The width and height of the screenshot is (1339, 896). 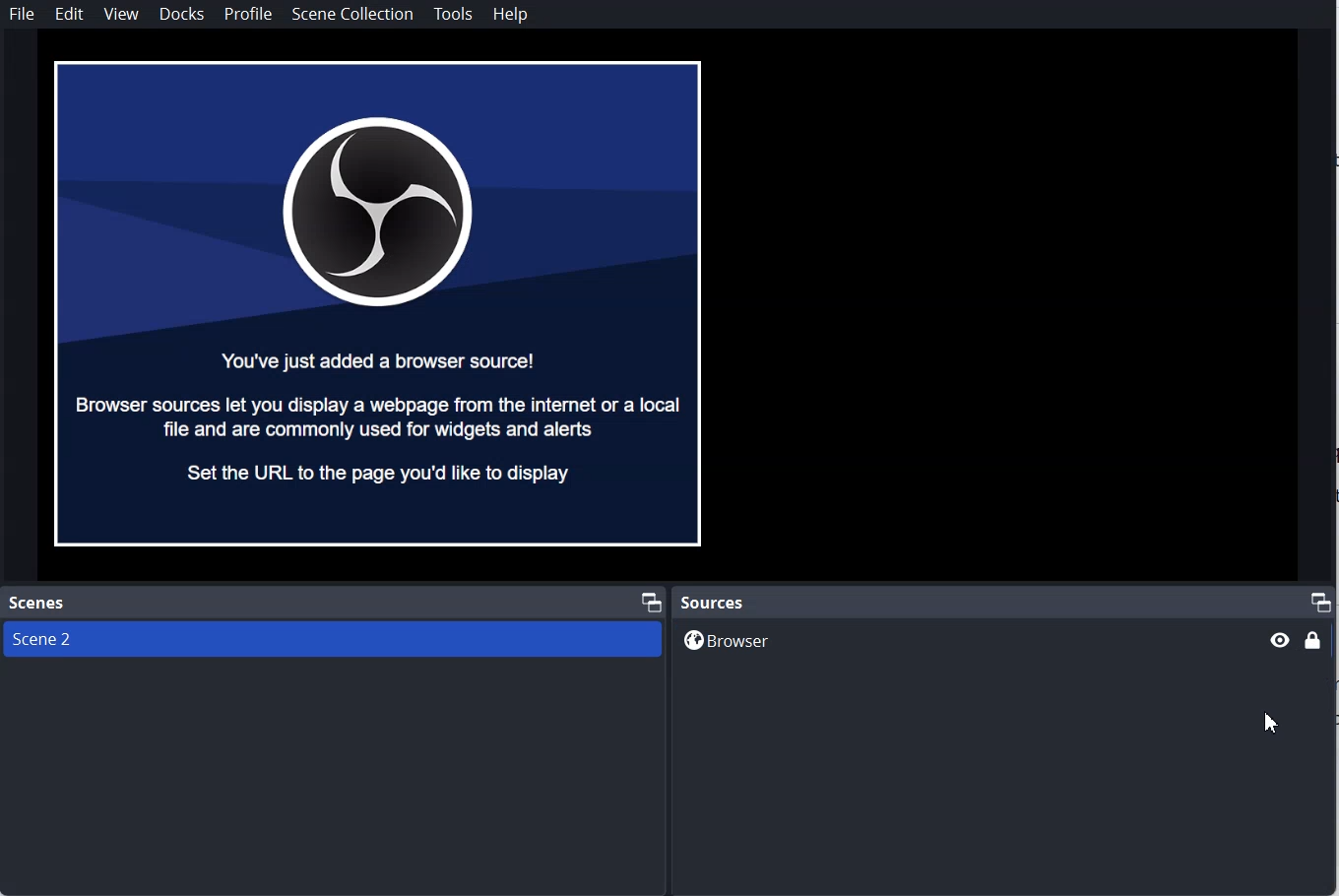 What do you see at coordinates (247, 15) in the screenshot?
I see `Profile` at bounding box center [247, 15].